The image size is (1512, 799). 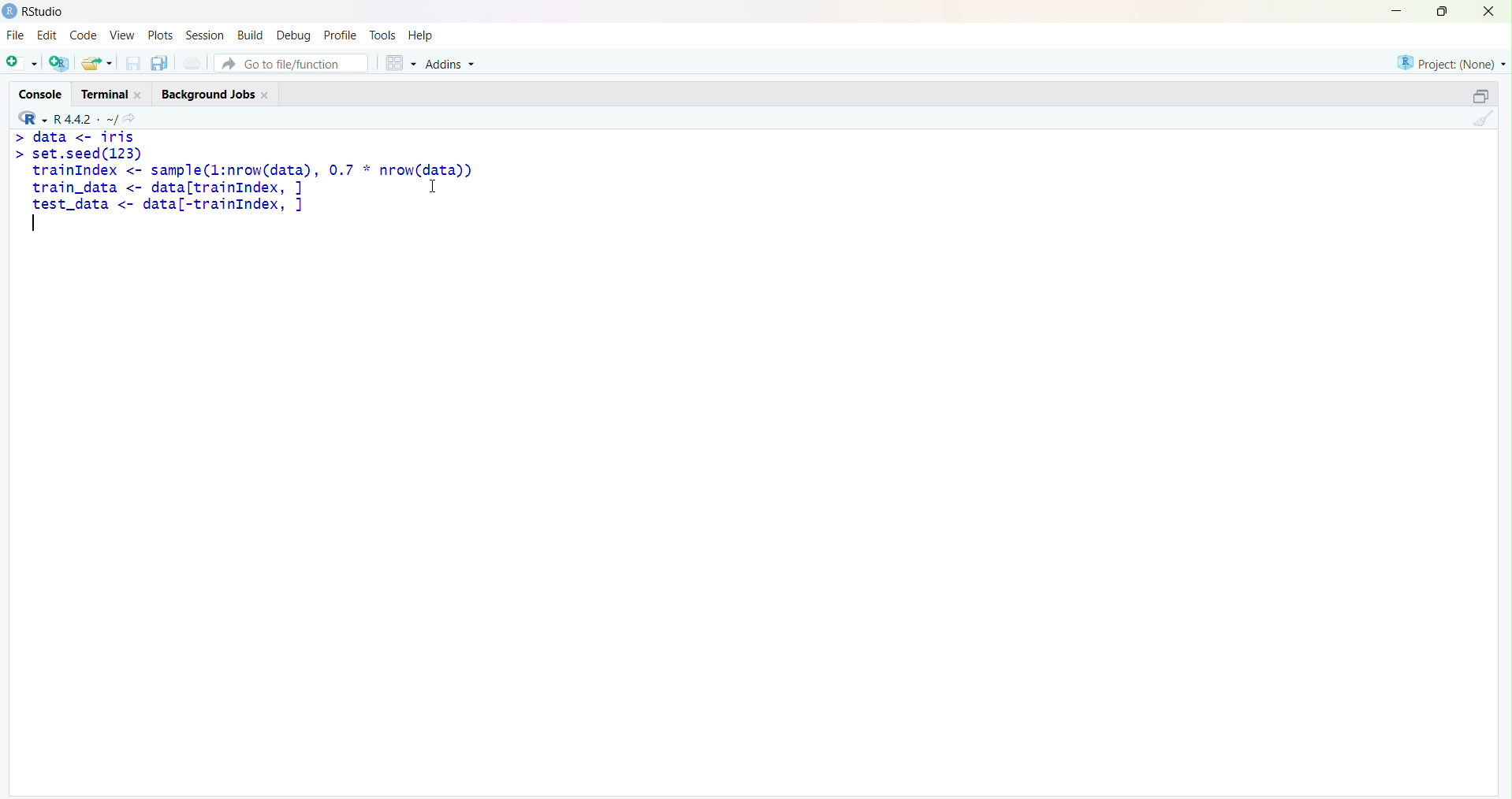 What do you see at coordinates (295, 34) in the screenshot?
I see `Debug` at bounding box center [295, 34].